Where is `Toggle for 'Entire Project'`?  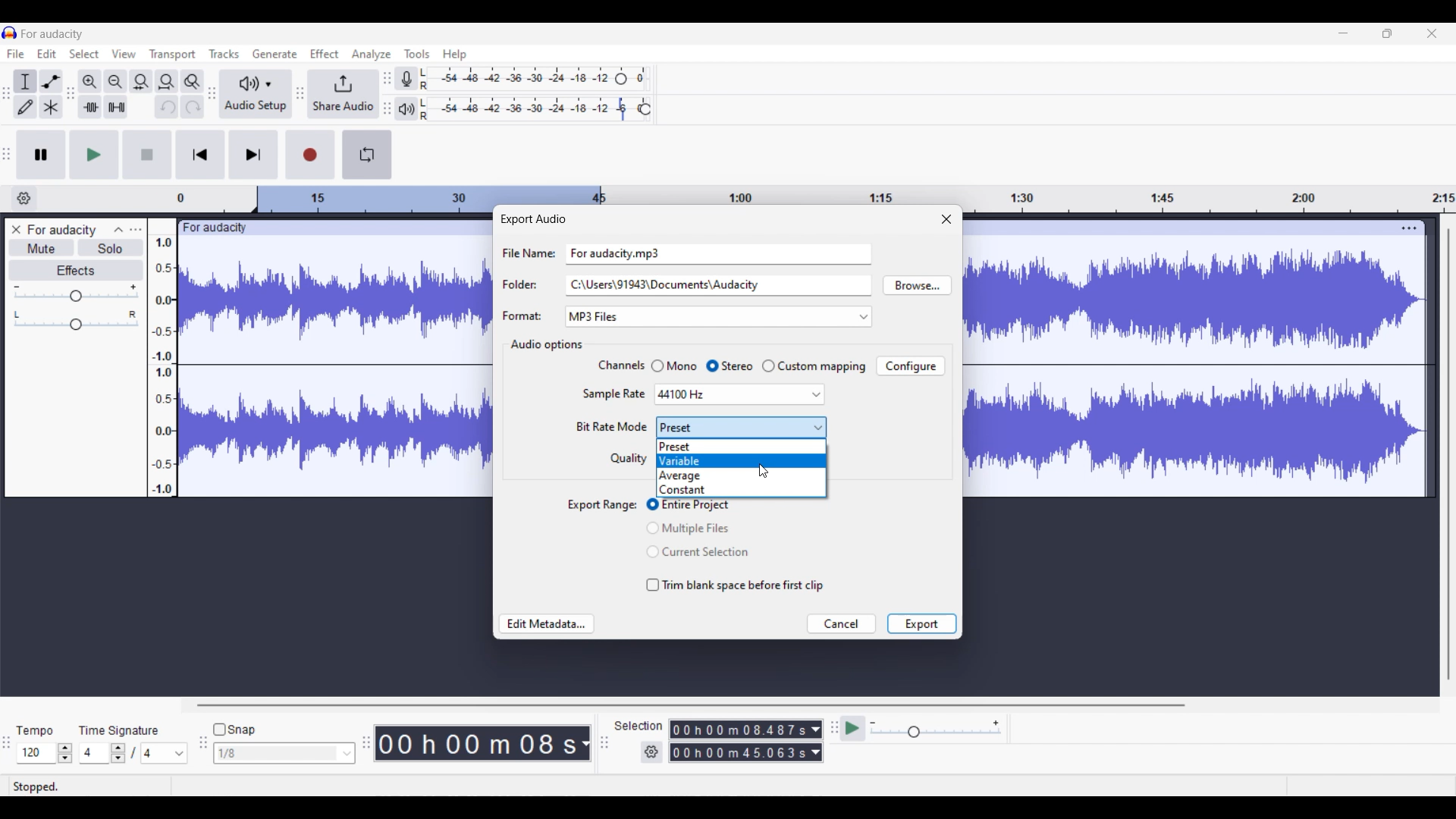 Toggle for 'Entire Project' is located at coordinates (699, 506).